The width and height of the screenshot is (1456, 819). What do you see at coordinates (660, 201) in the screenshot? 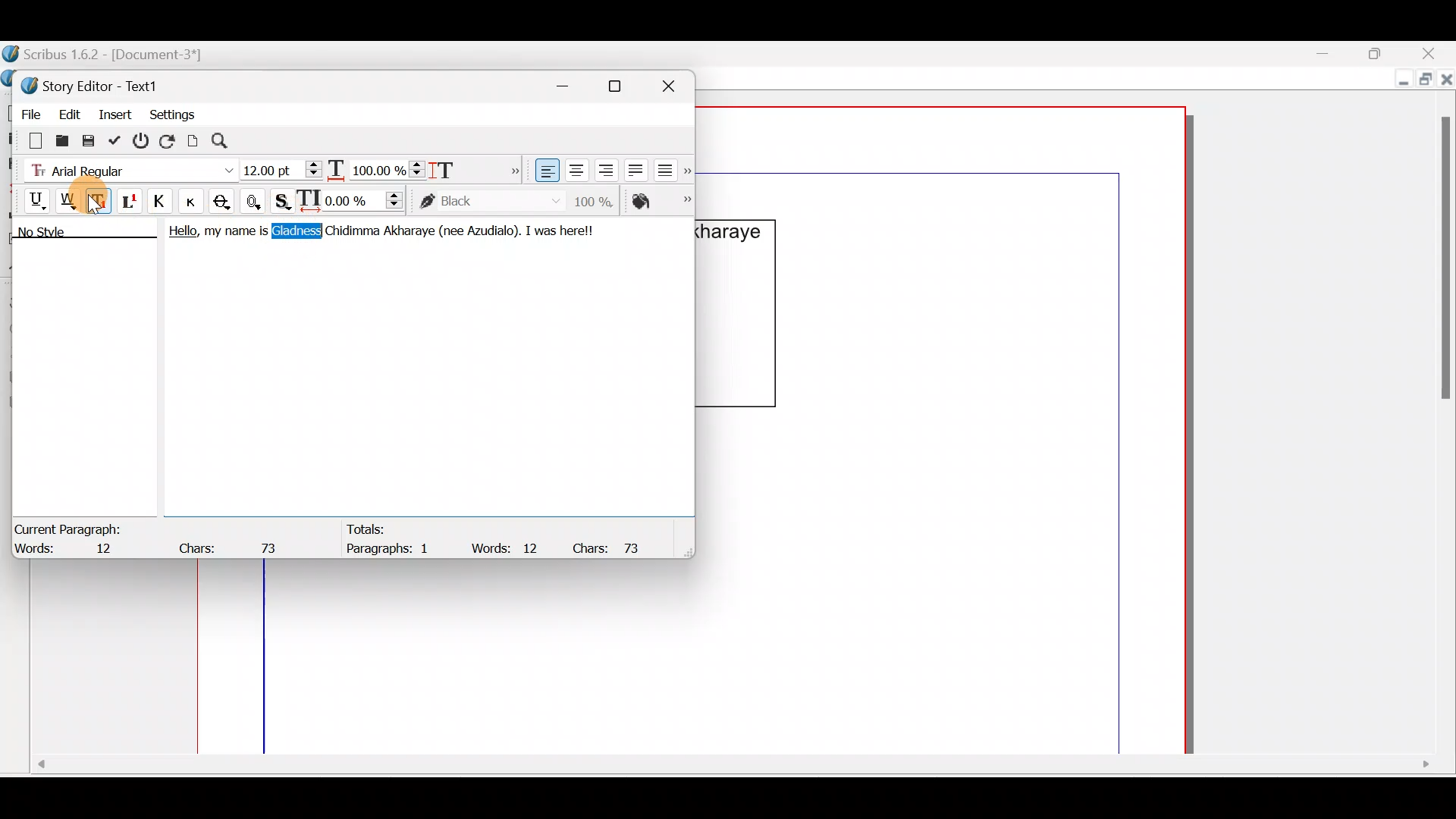
I see `Color of text fill` at bounding box center [660, 201].